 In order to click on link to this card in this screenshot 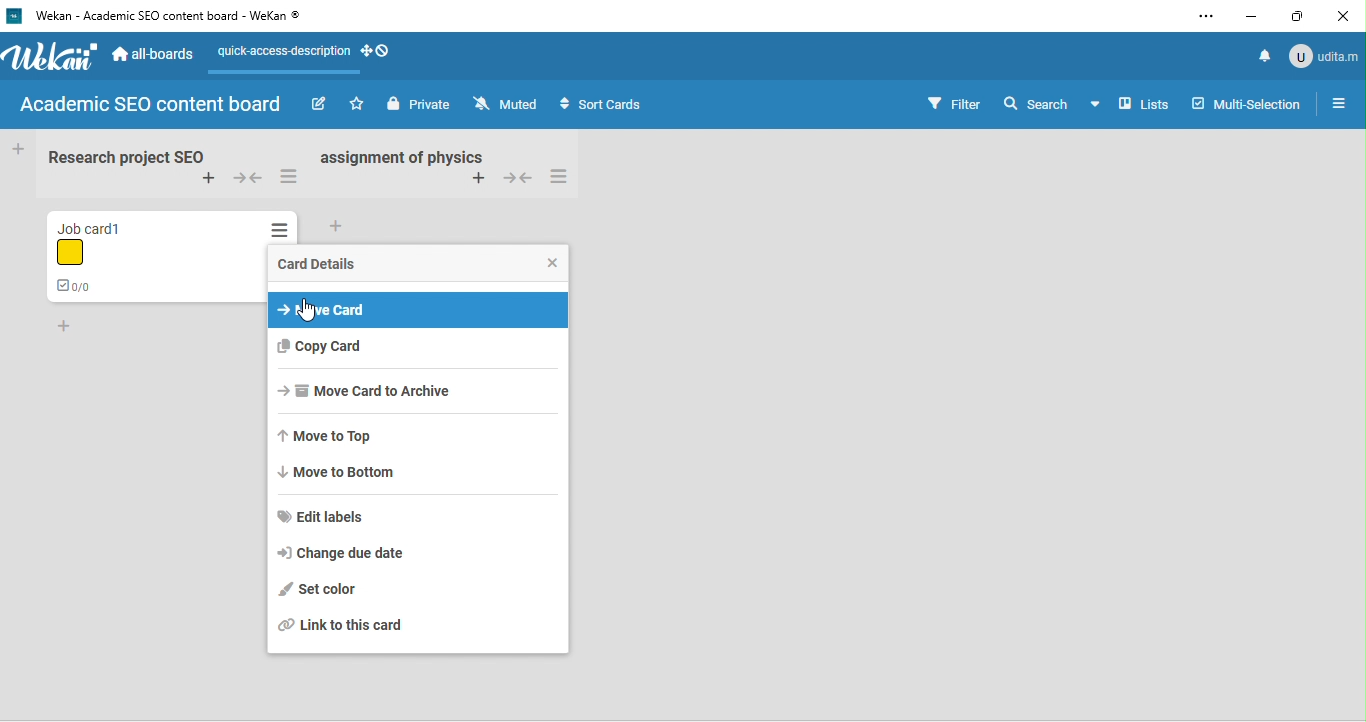, I will do `click(412, 628)`.